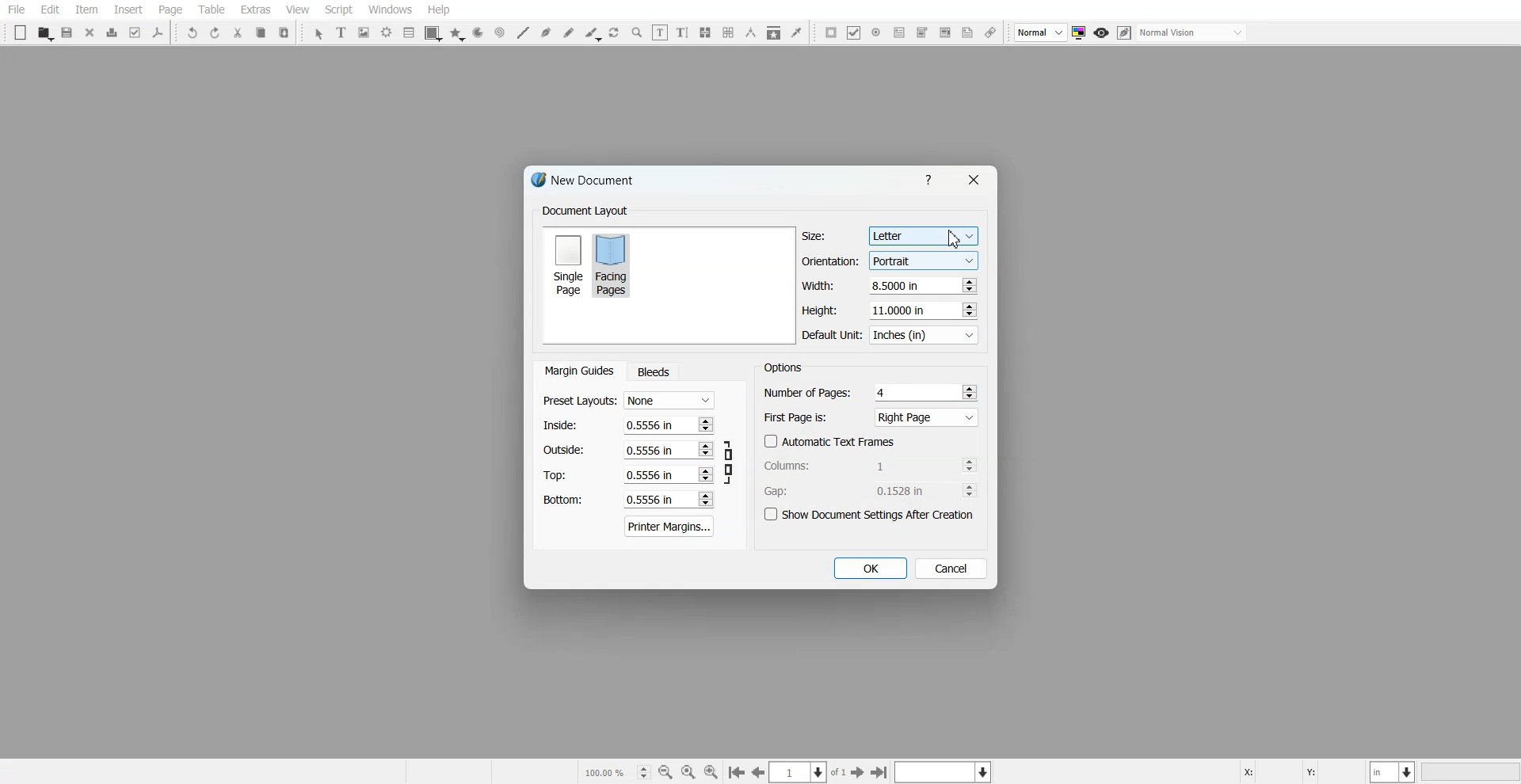 This screenshot has width=1521, height=784. What do you see at coordinates (854, 32) in the screenshot?
I see `PDF Check Box` at bounding box center [854, 32].